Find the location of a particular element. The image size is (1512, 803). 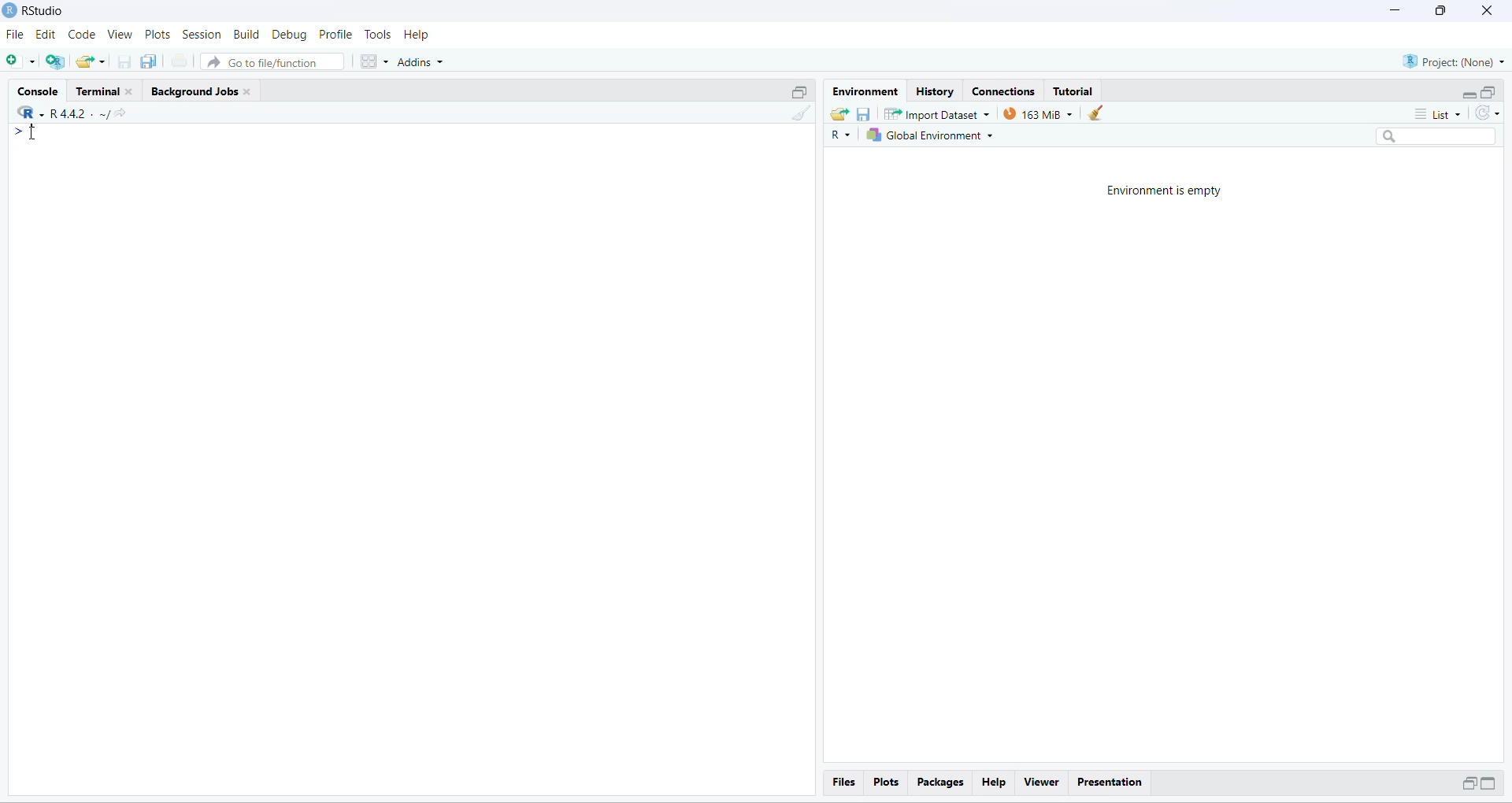

File is located at coordinates (16, 35).